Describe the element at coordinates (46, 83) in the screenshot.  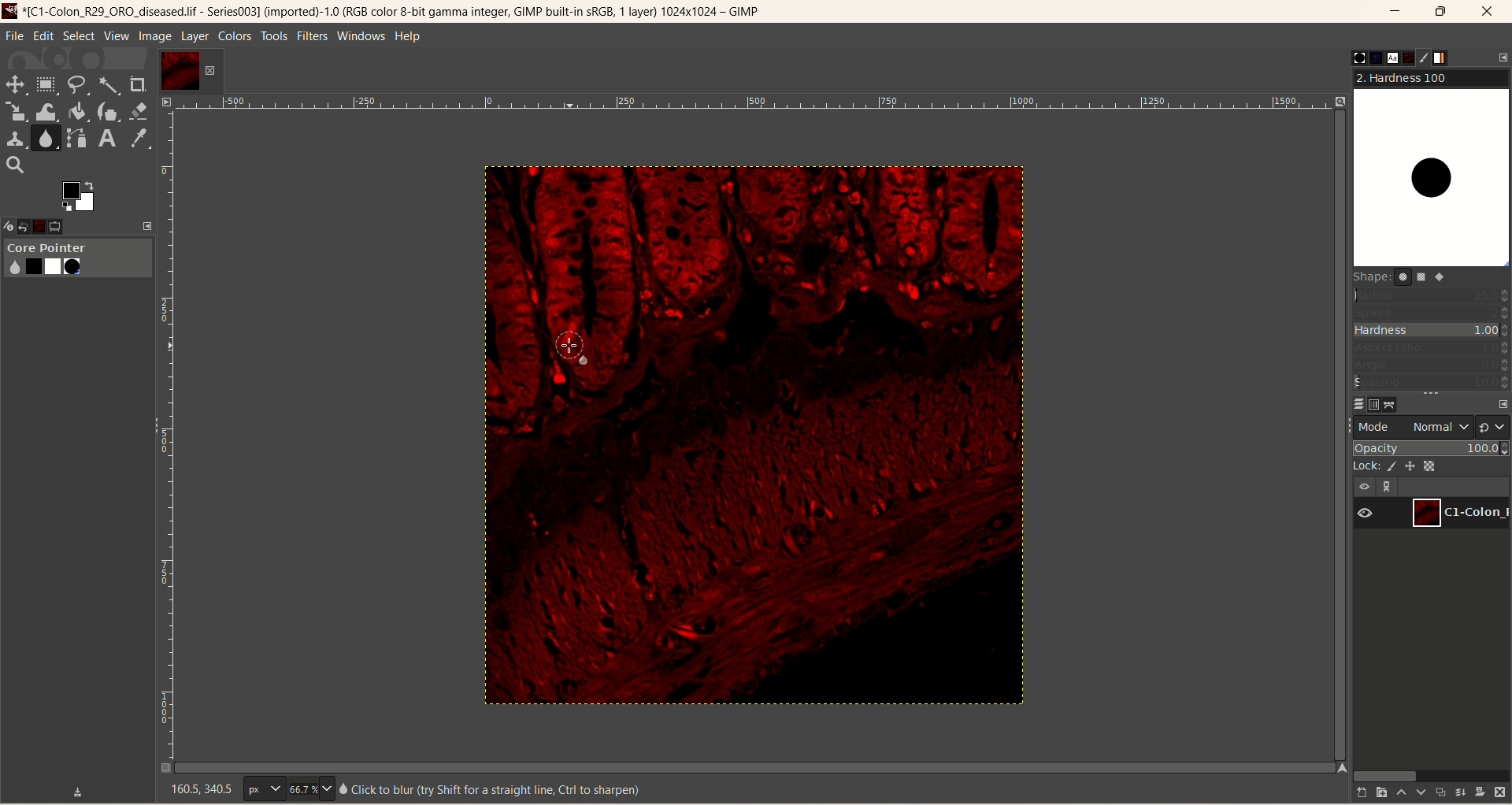
I see `rectangle select tool` at that location.